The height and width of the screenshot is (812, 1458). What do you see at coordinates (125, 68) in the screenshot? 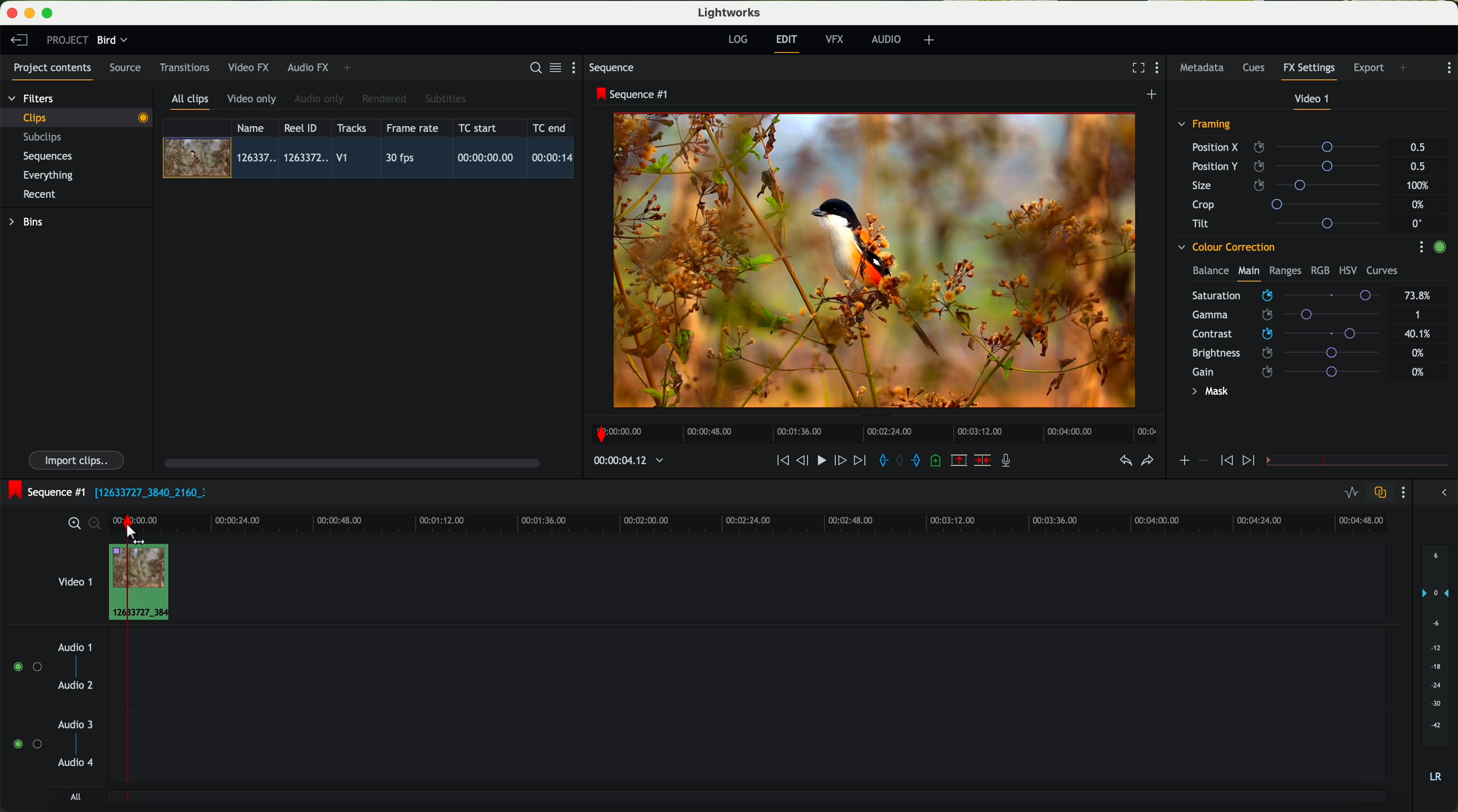
I see `source` at bounding box center [125, 68].